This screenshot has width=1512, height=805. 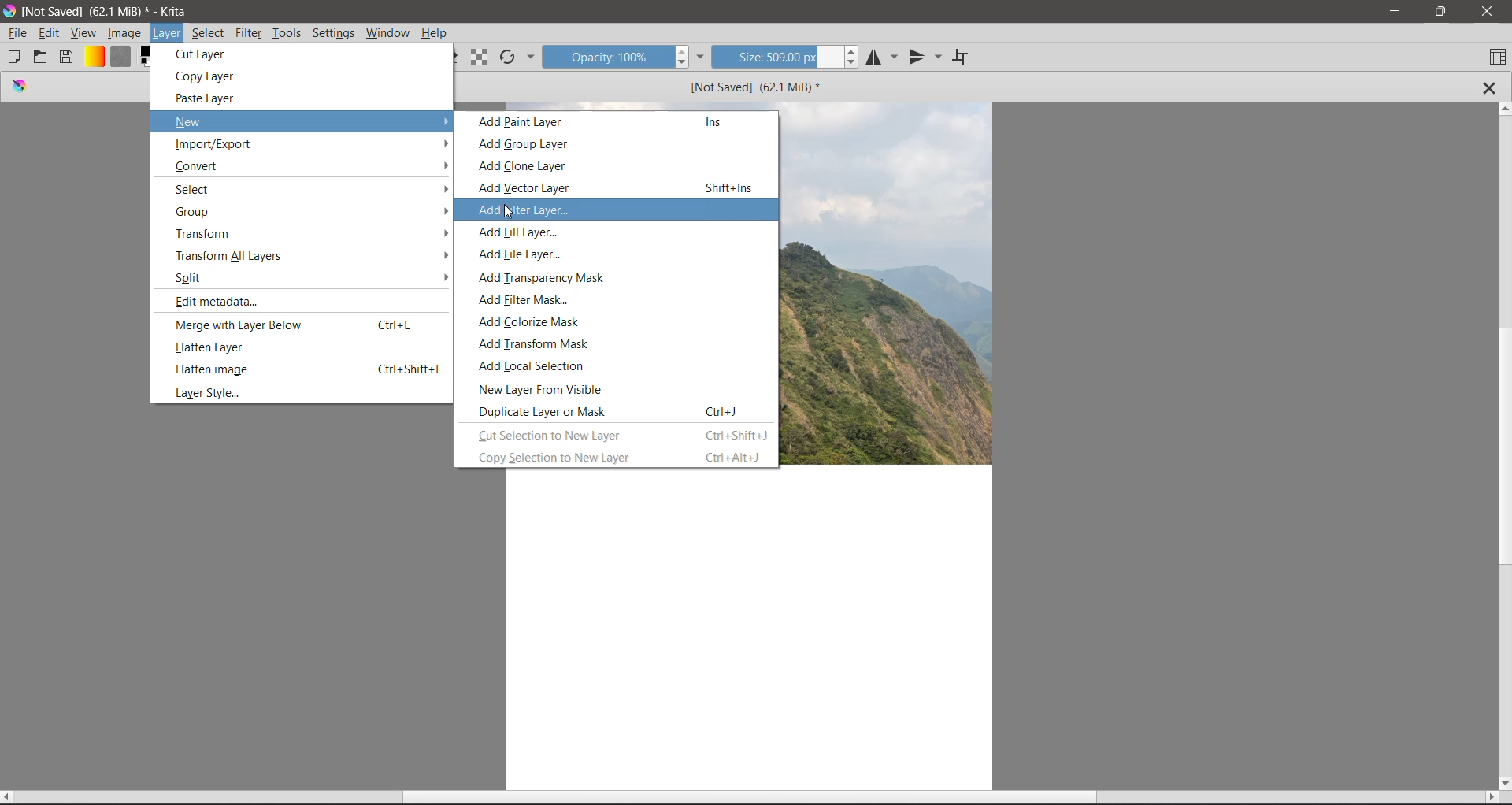 I want to click on Preserve Alpha, so click(x=479, y=57).